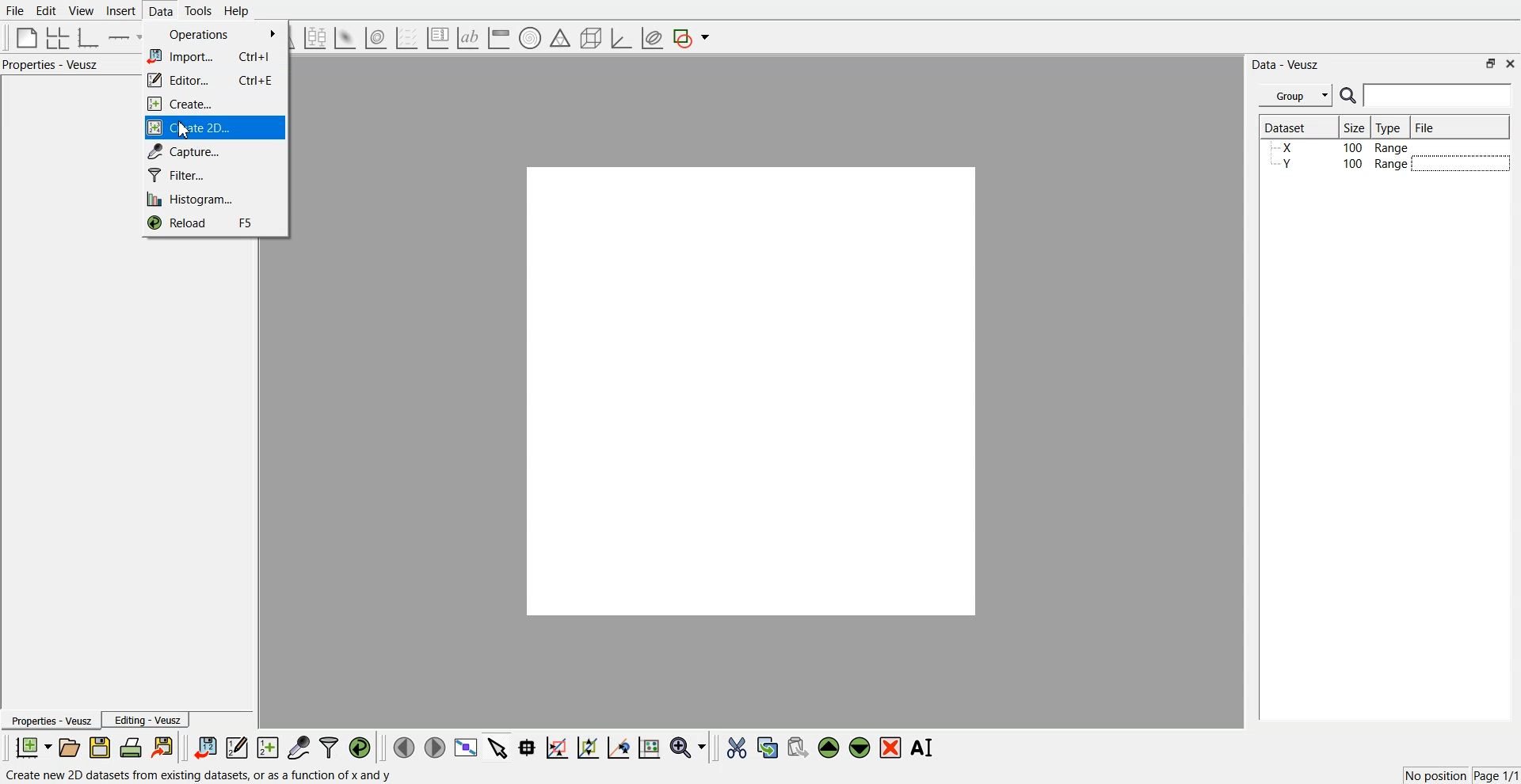 The width and height of the screenshot is (1521, 784). Describe the element at coordinates (202, 774) in the screenshot. I see `Create new 2D datasets from existing datasets, or as a function of x and y` at that location.